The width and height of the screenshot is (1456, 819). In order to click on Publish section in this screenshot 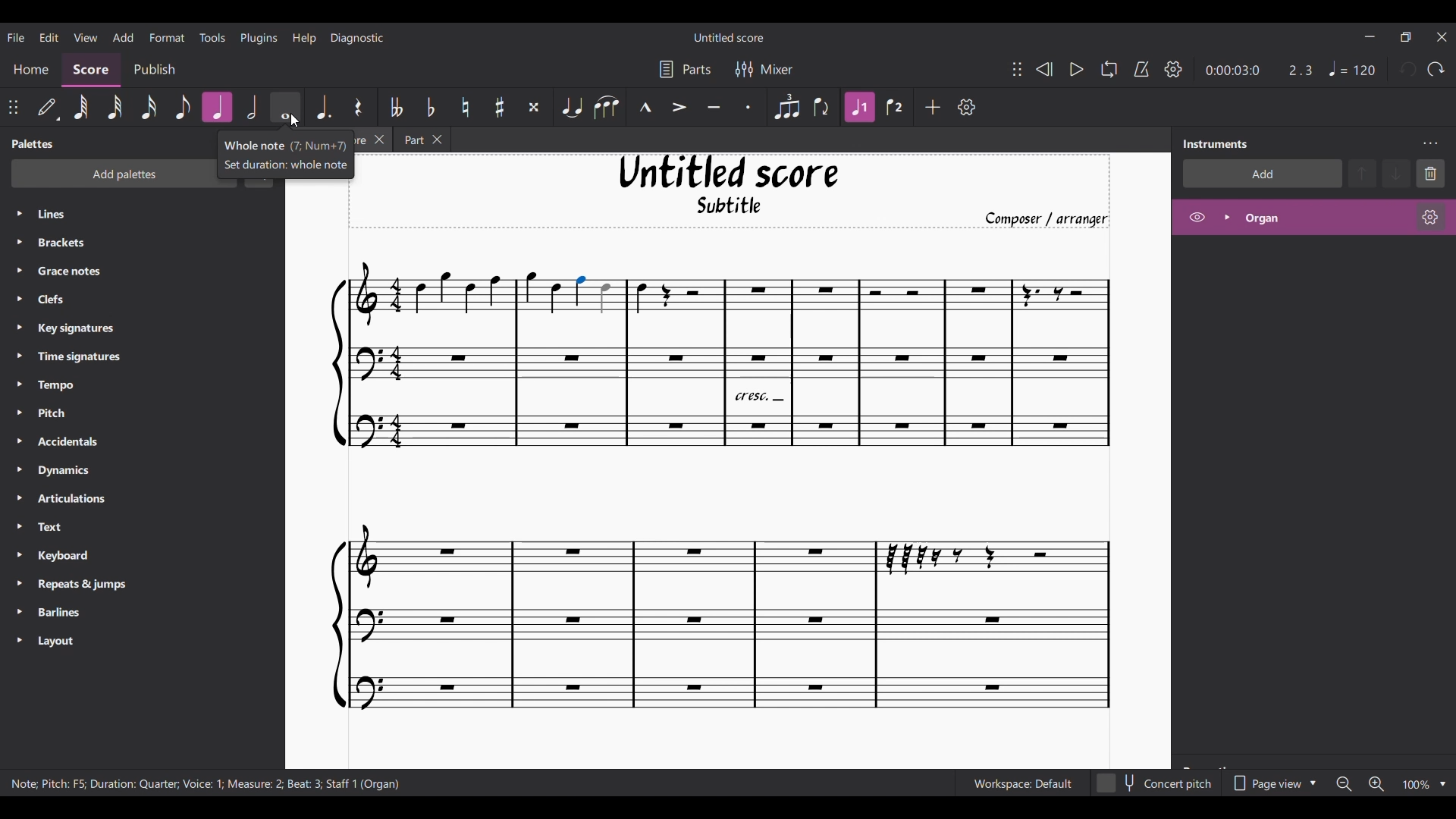, I will do `click(154, 71)`.